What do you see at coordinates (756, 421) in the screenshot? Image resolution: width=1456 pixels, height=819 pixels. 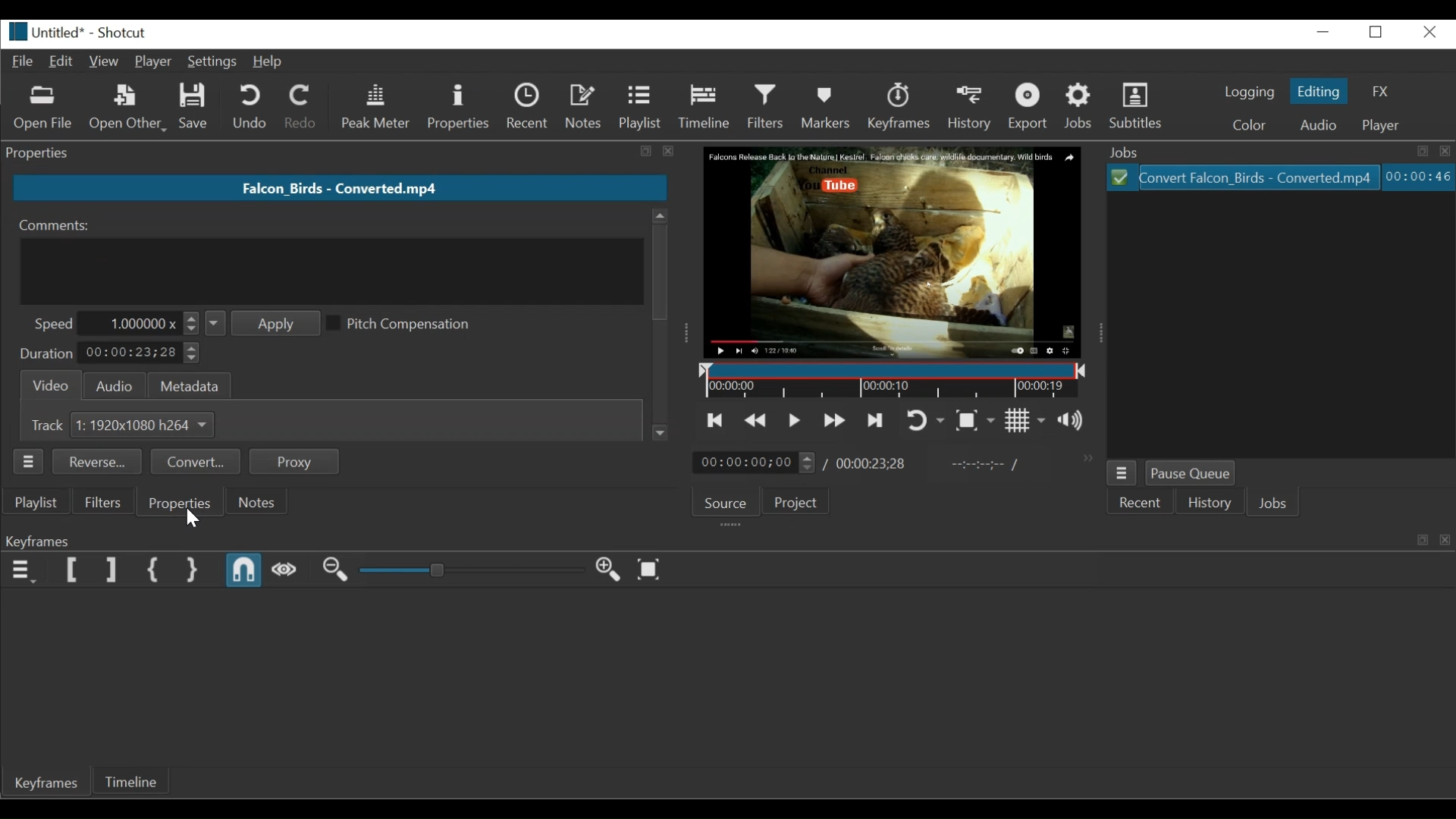 I see `Play quickly backward` at bounding box center [756, 421].